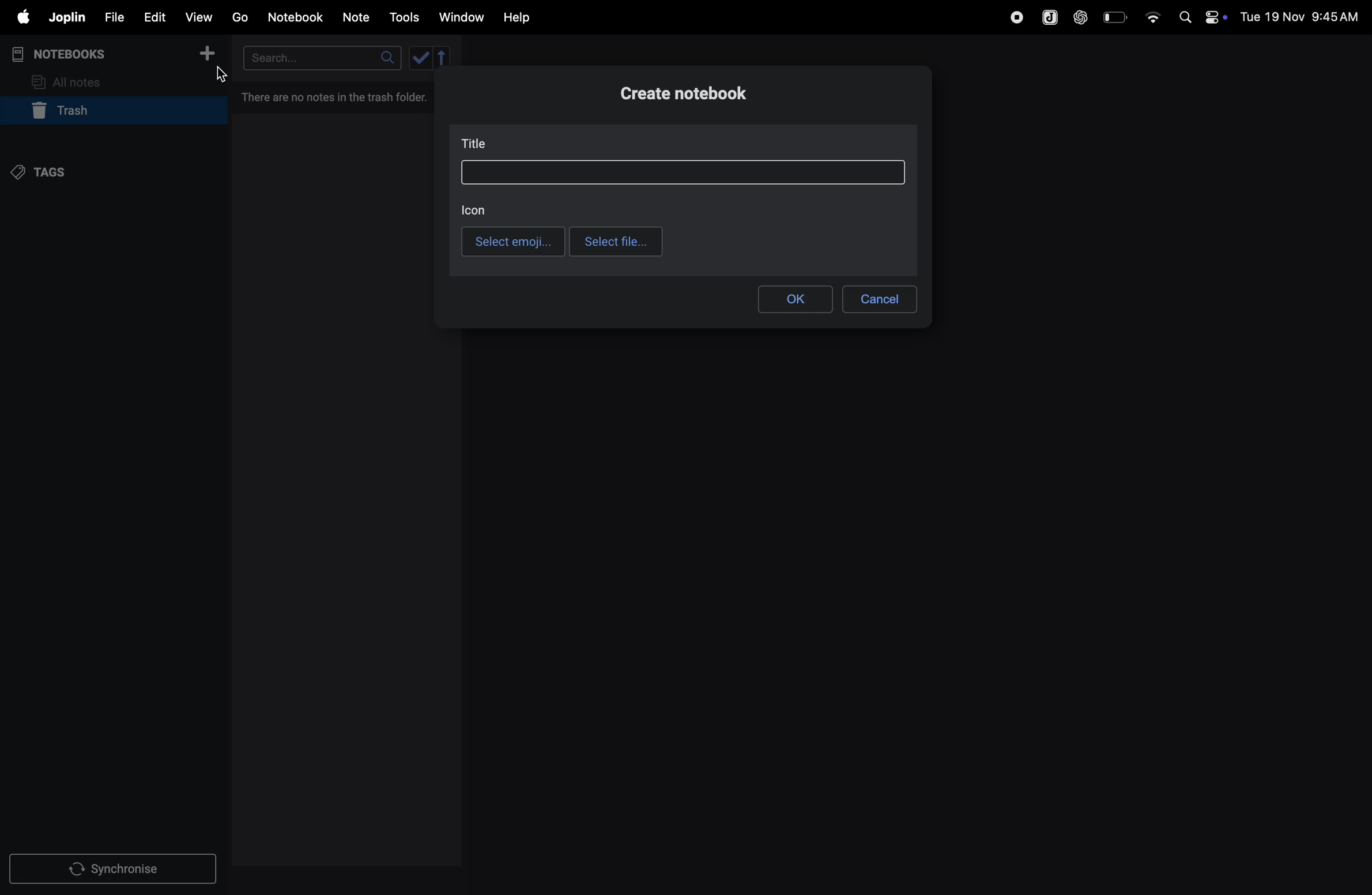 The height and width of the screenshot is (895, 1372). What do you see at coordinates (115, 870) in the screenshot?
I see `synchronise` at bounding box center [115, 870].